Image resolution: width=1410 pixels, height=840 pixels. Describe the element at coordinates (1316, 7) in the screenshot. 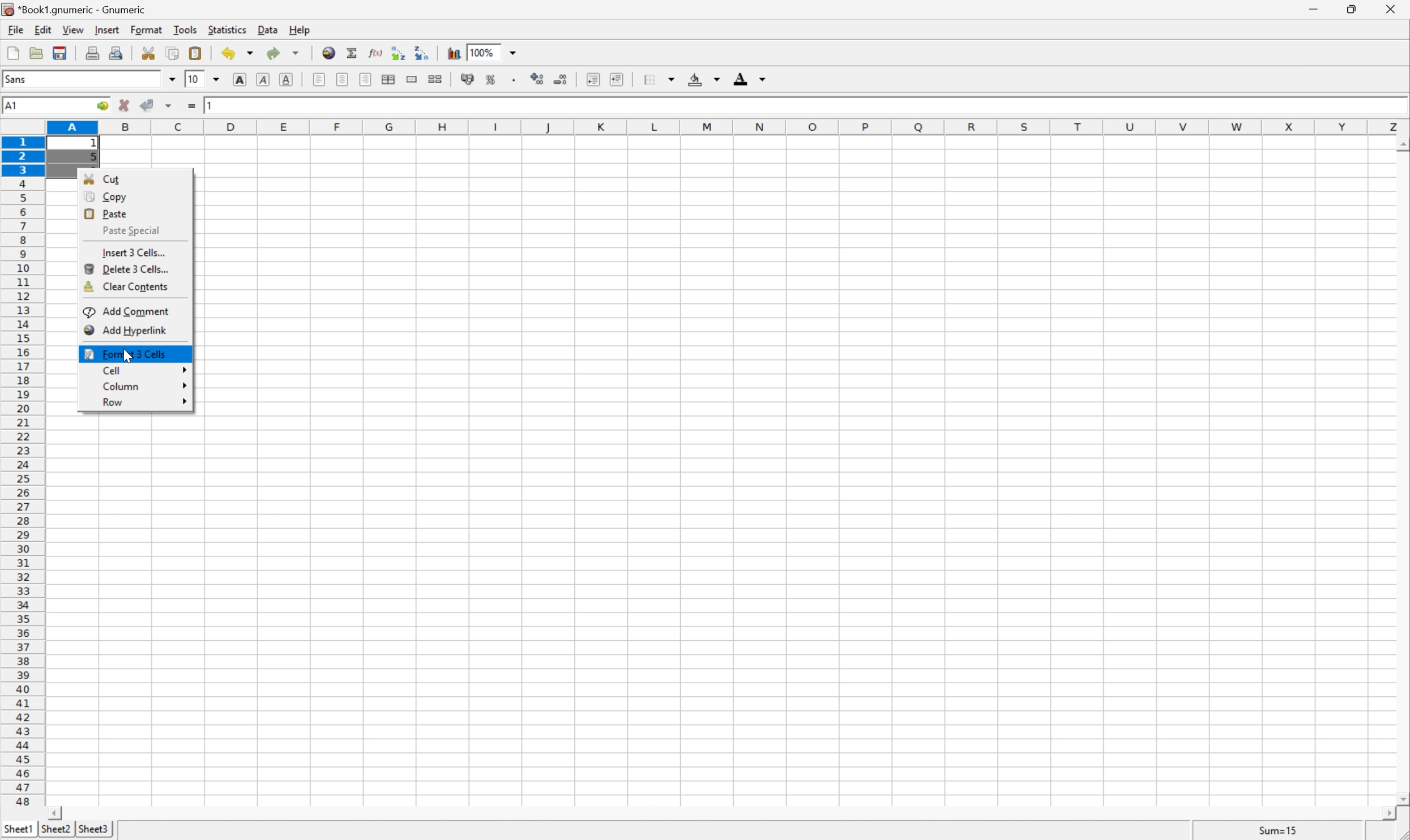

I see `minimize` at that location.